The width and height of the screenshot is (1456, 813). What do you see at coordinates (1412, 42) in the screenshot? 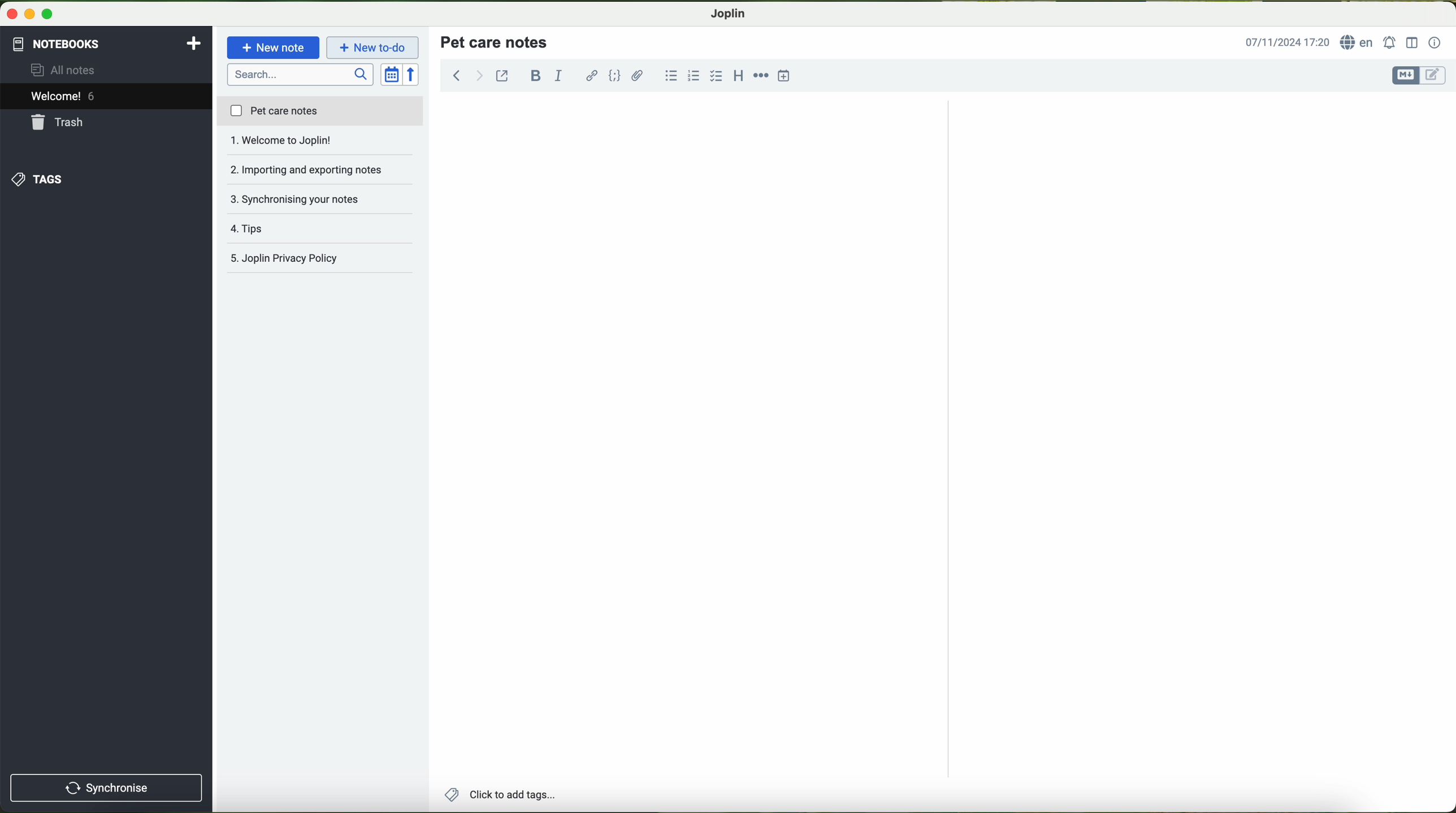
I see `toggle editor layout` at bounding box center [1412, 42].